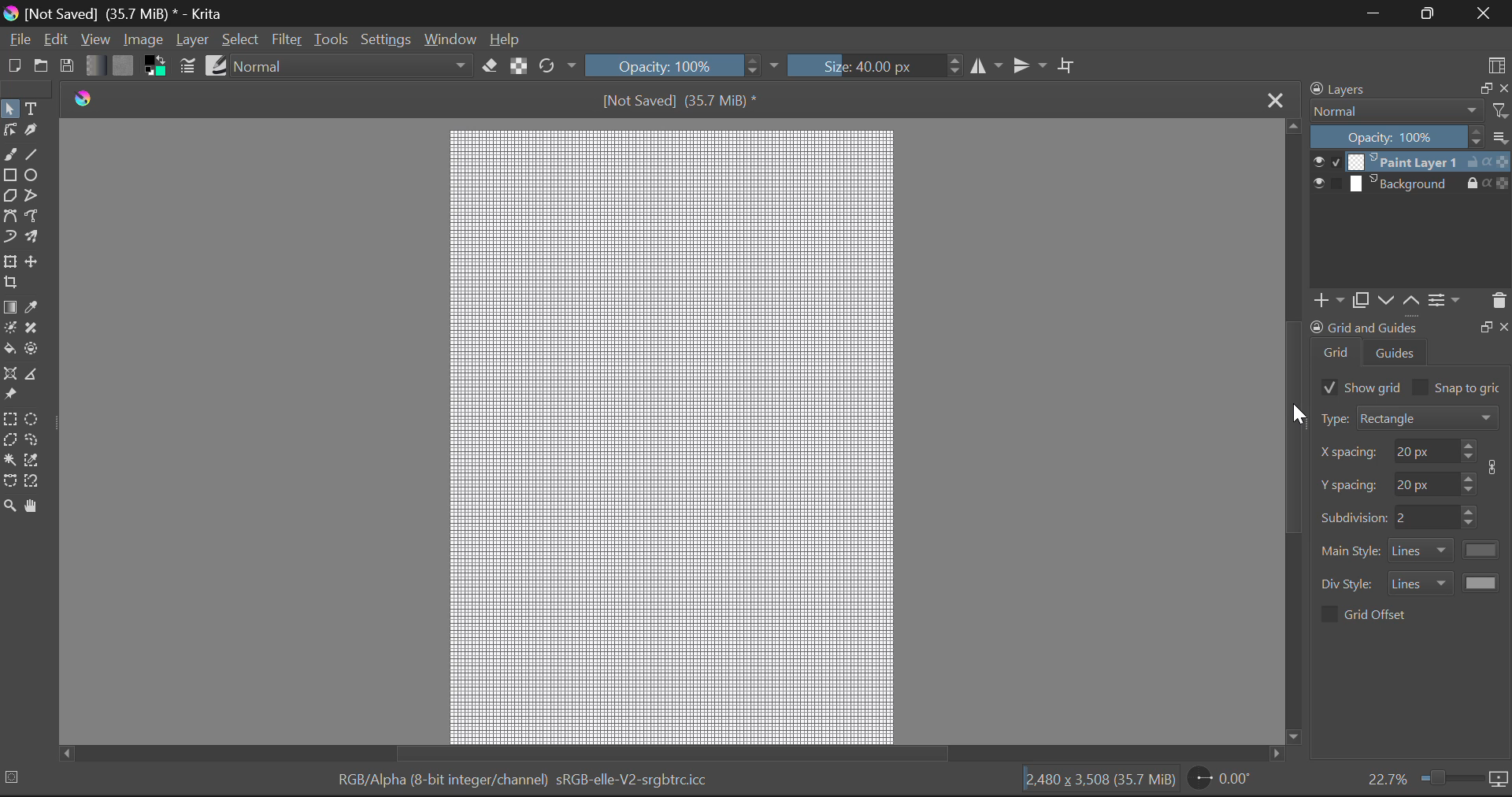 The image size is (1512, 797). Describe the element at coordinates (1421, 550) in the screenshot. I see `style` at that location.